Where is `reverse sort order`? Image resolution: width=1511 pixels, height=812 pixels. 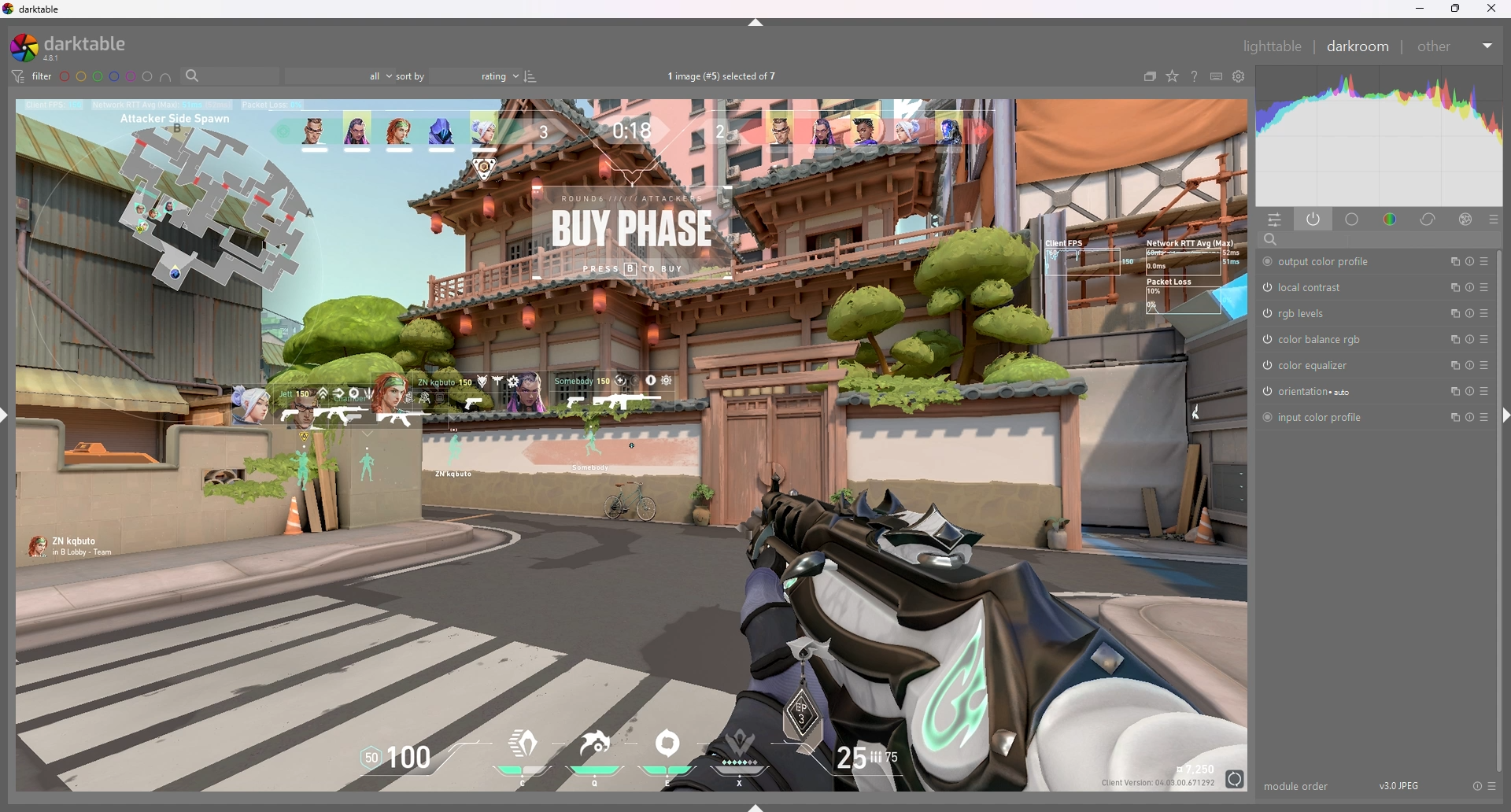
reverse sort order is located at coordinates (532, 77).